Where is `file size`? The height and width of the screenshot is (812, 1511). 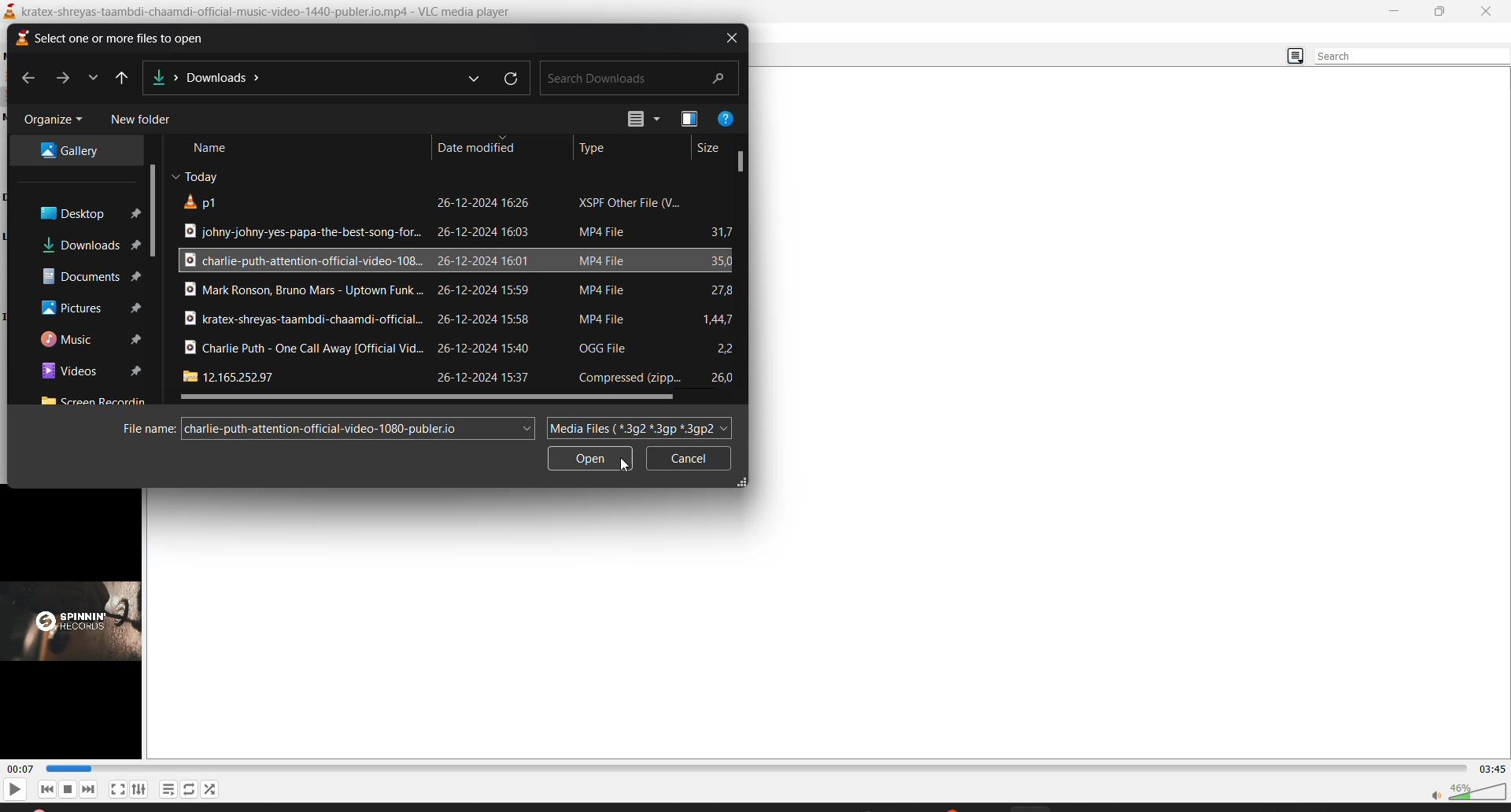 file size is located at coordinates (715, 316).